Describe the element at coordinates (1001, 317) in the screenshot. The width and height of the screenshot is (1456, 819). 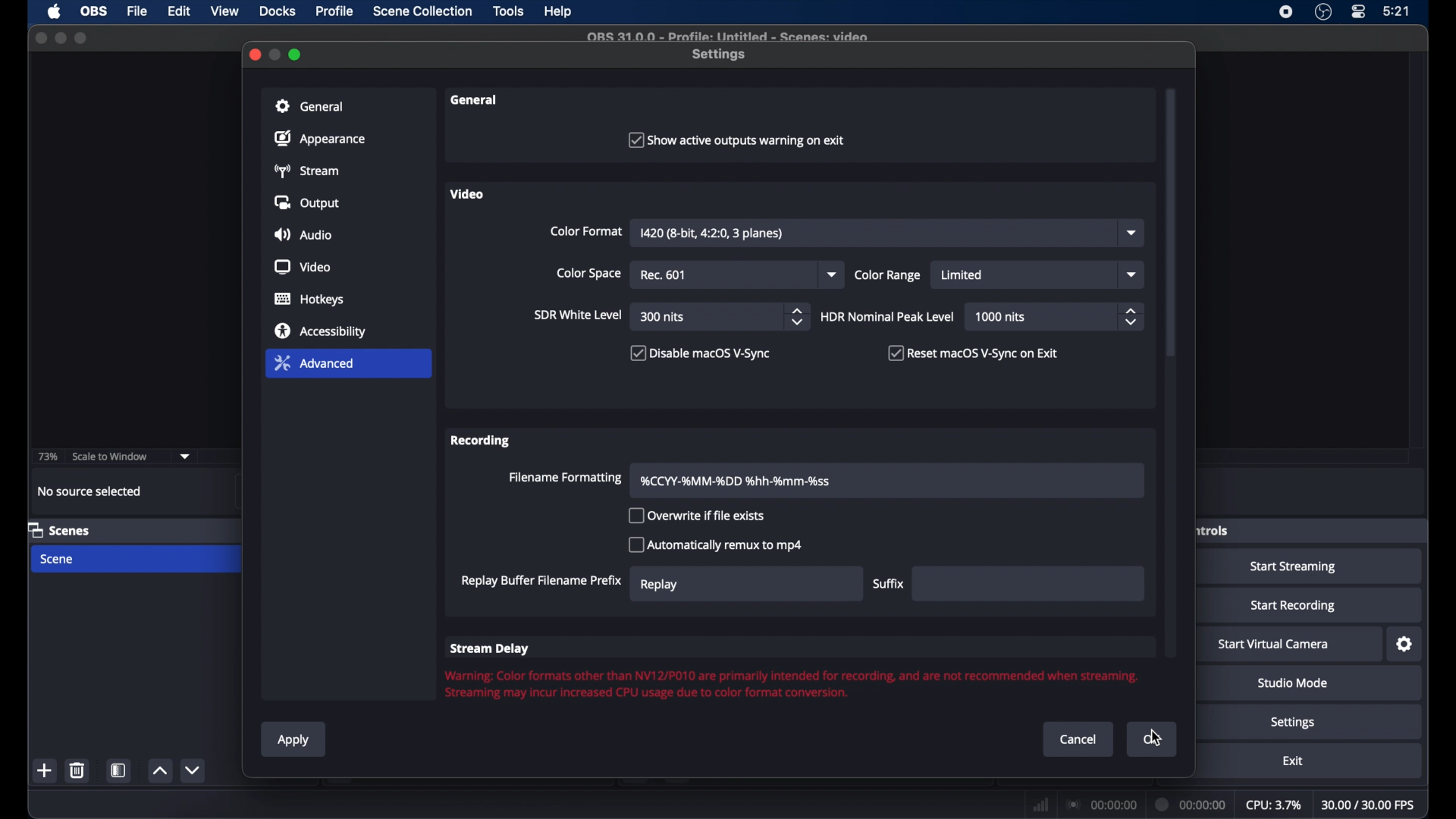
I see `1000 nits` at that location.